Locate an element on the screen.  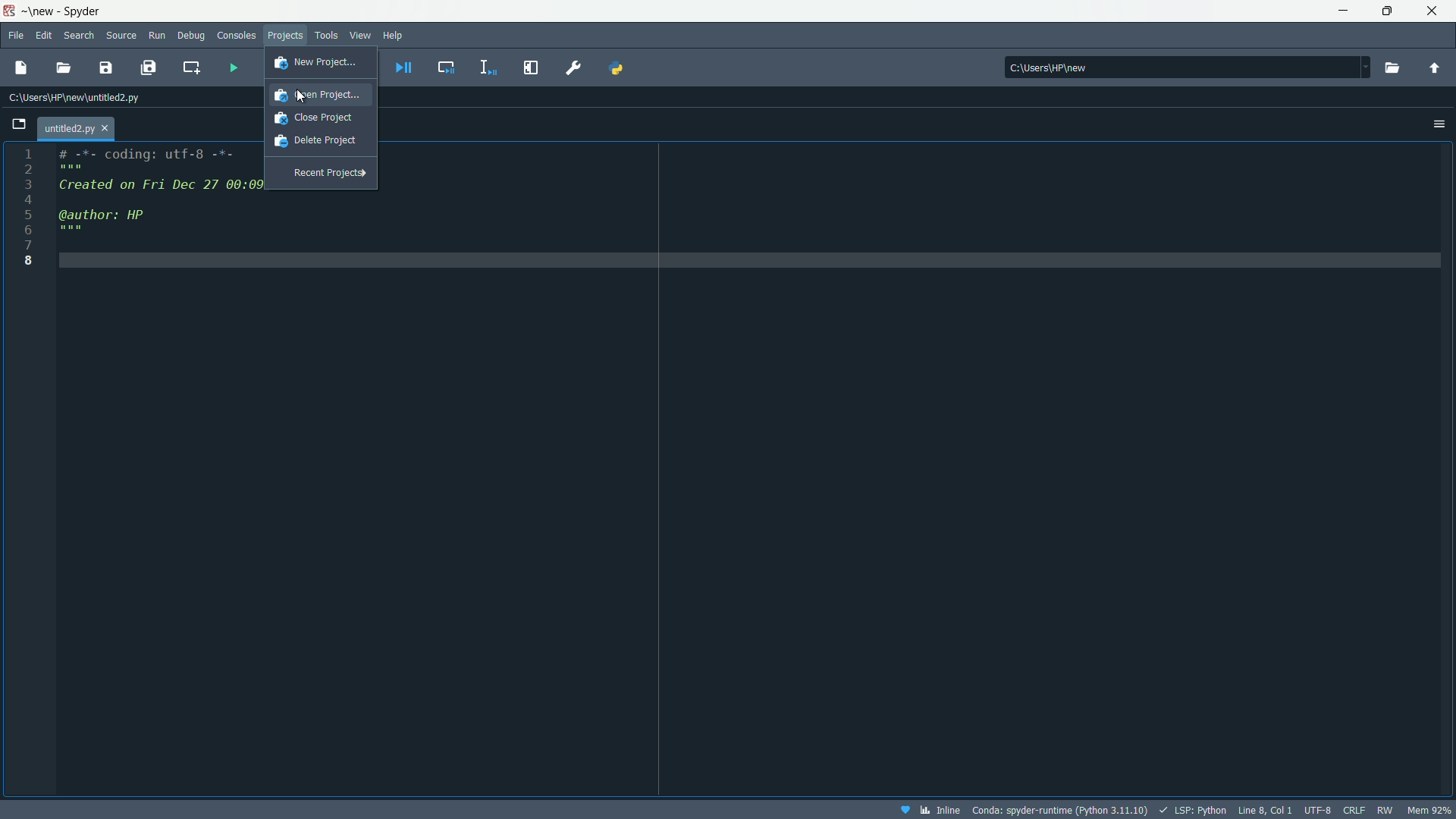
delete project is located at coordinates (318, 140).